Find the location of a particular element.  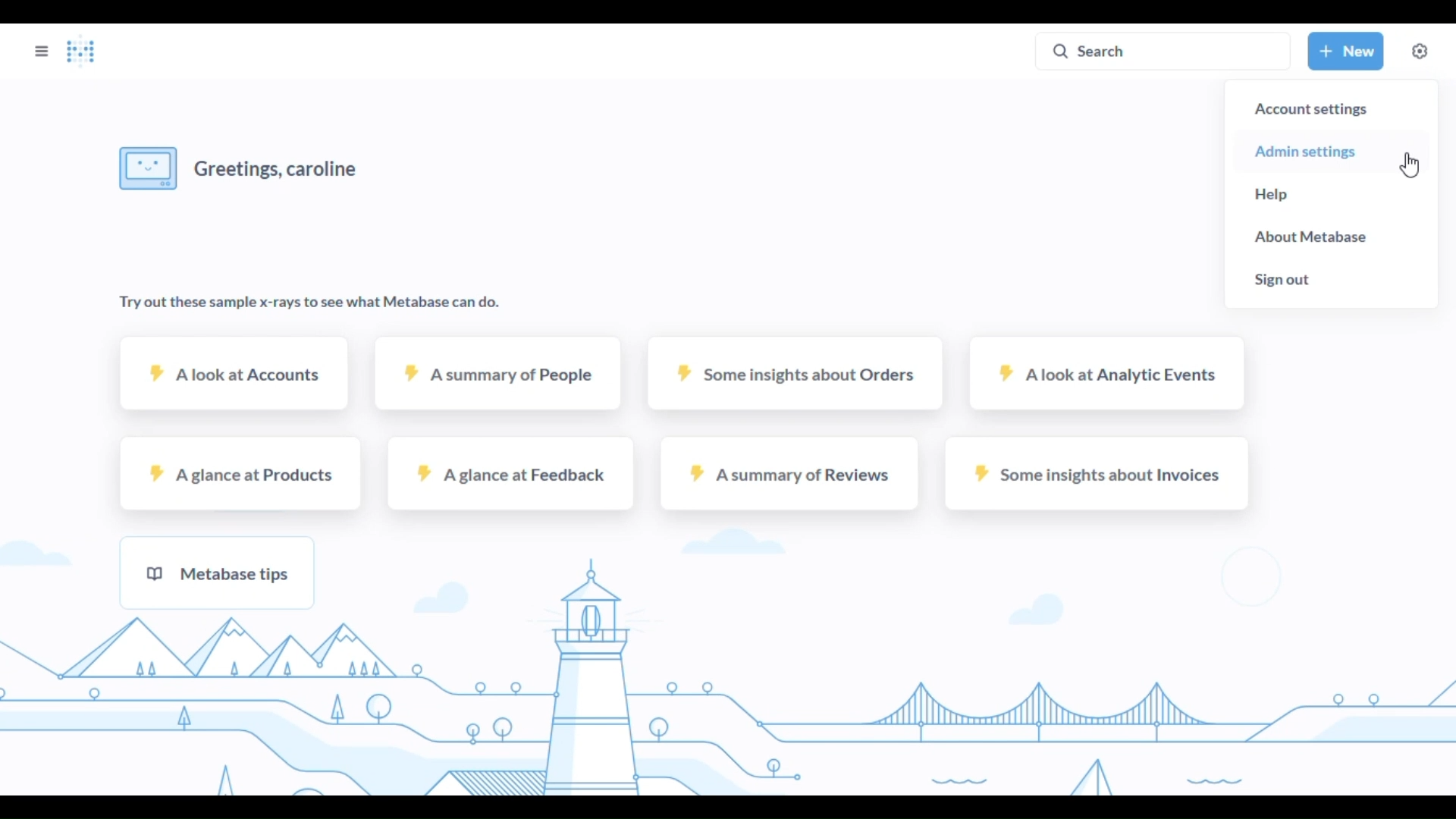

settings is located at coordinates (1420, 51).